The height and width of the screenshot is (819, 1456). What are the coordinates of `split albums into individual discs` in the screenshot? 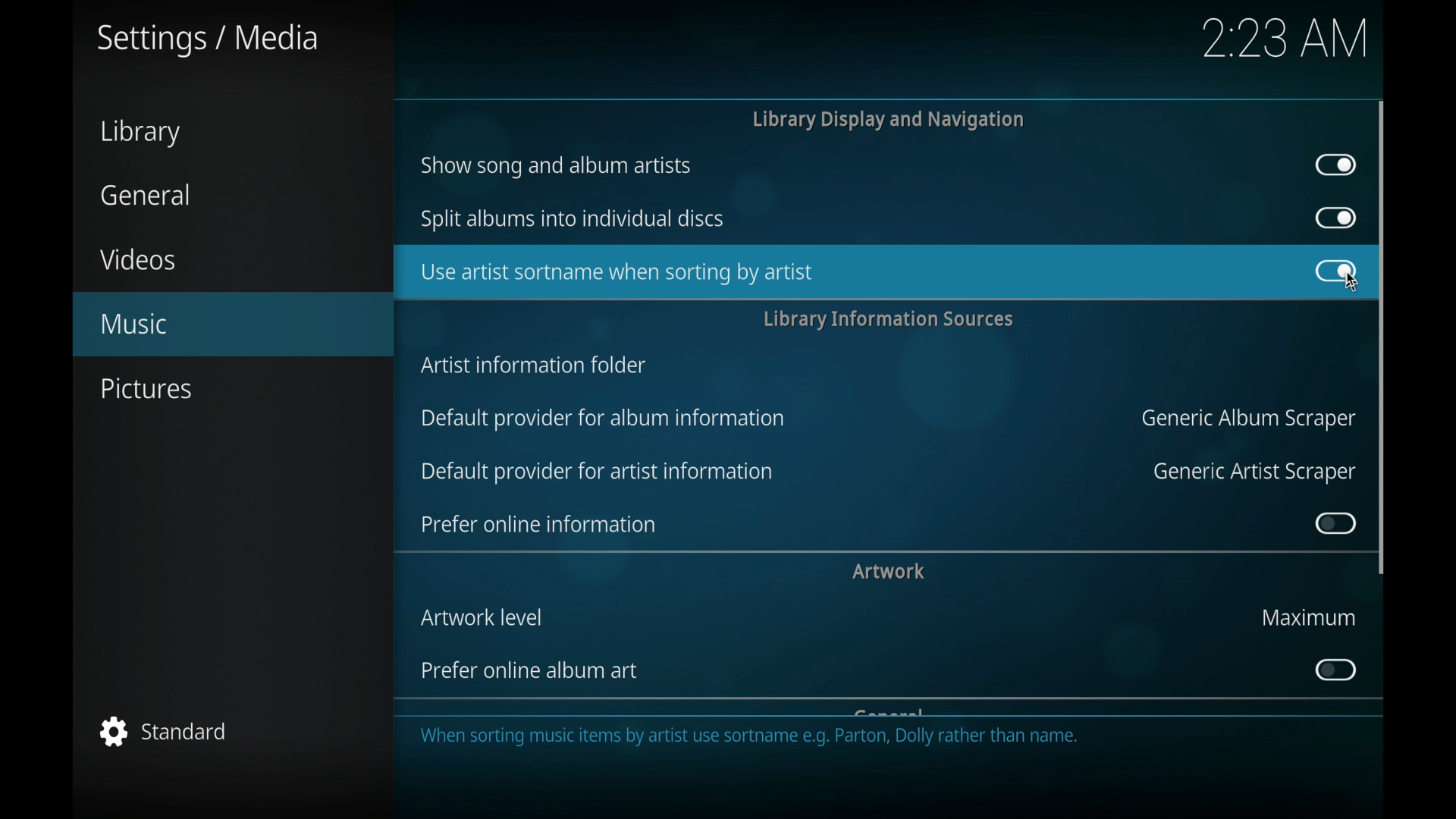 It's located at (573, 218).